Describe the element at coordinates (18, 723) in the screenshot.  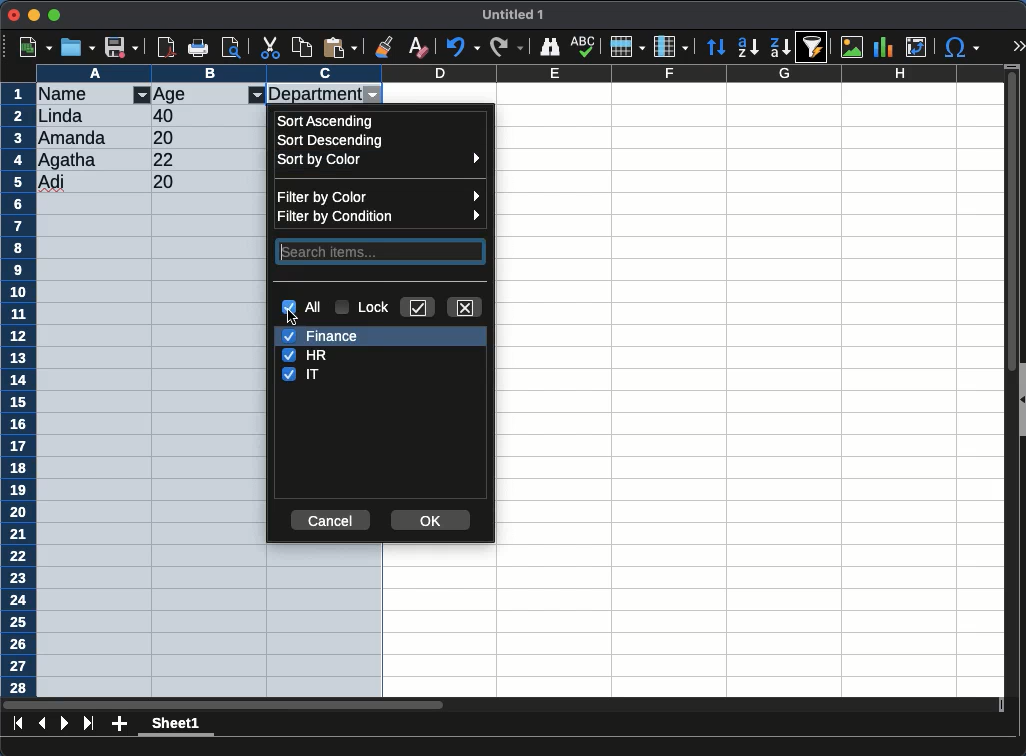
I see `first sheet` at that location.